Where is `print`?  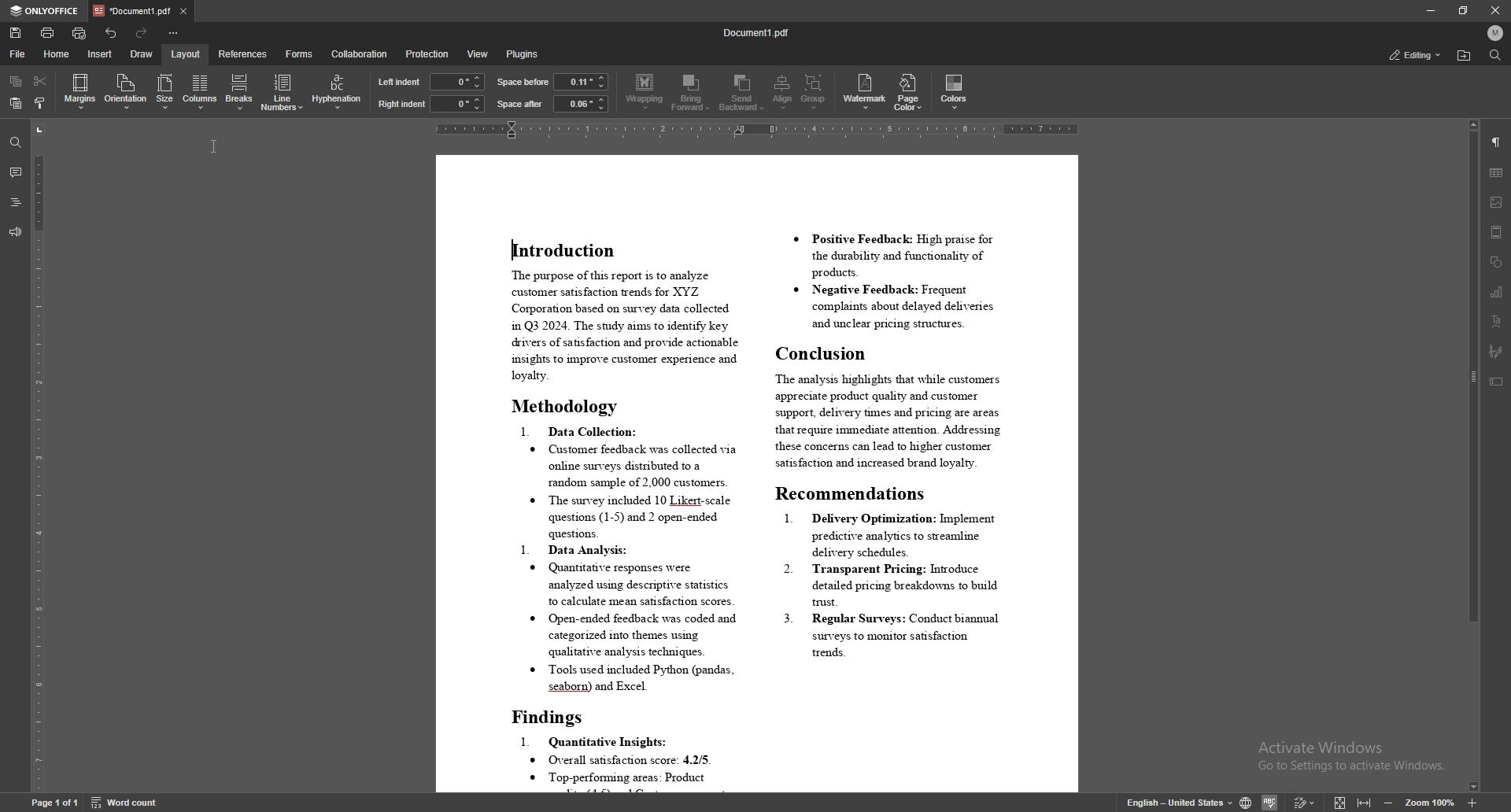
print is located at coordinates (47, 33).